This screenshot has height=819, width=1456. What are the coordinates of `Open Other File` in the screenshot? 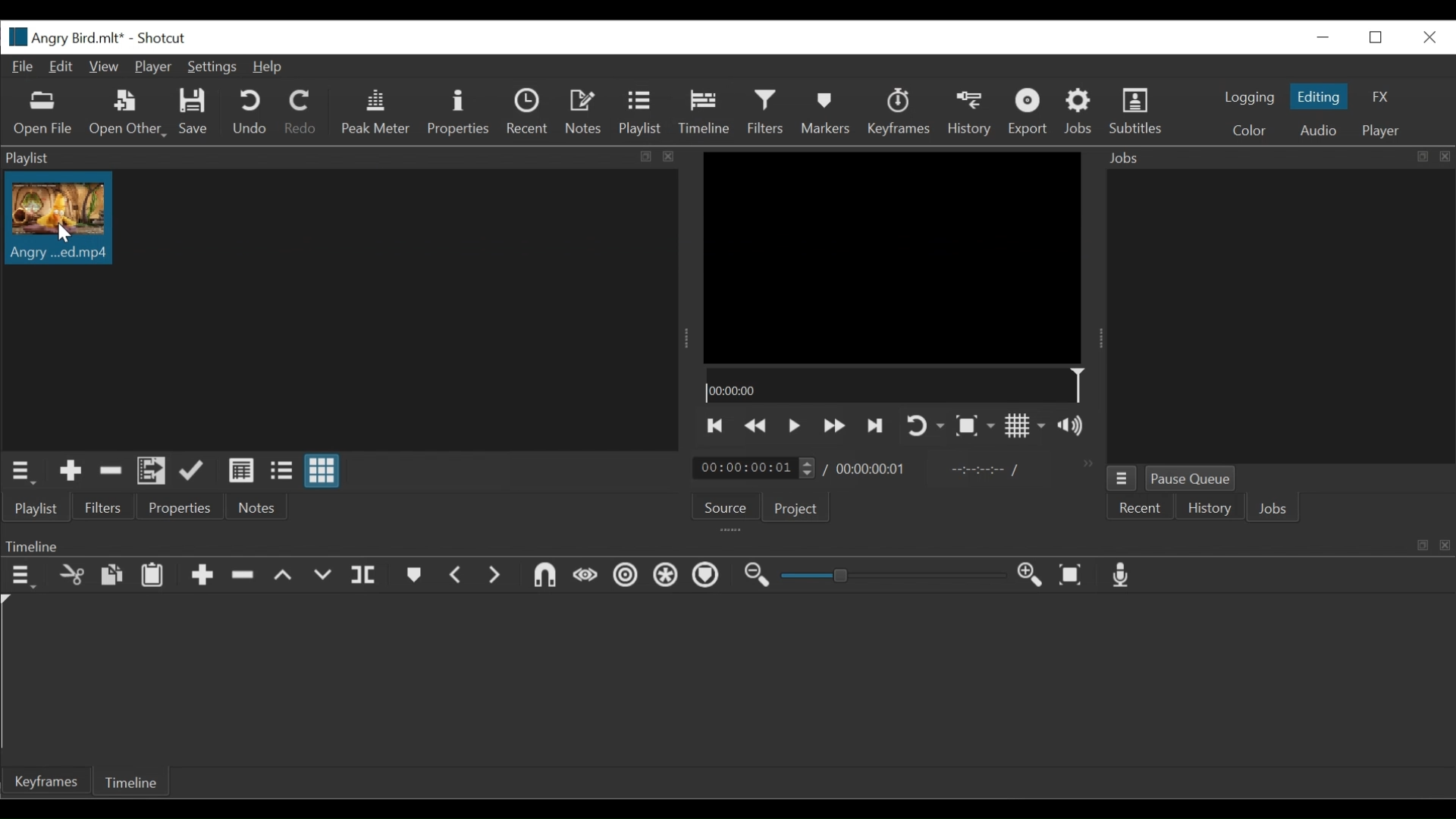 It's located at (45, 114).